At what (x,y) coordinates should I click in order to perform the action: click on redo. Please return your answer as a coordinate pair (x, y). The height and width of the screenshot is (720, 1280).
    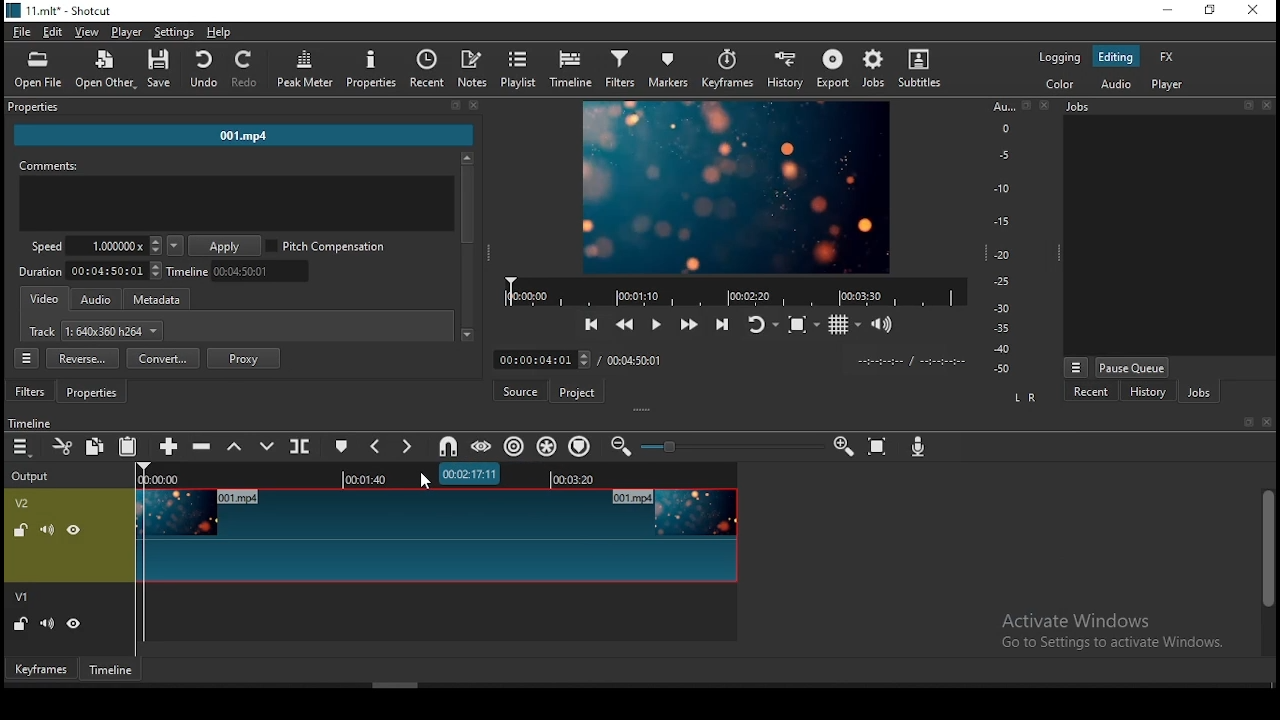
    Looking at the image, I should click on (247, 70).